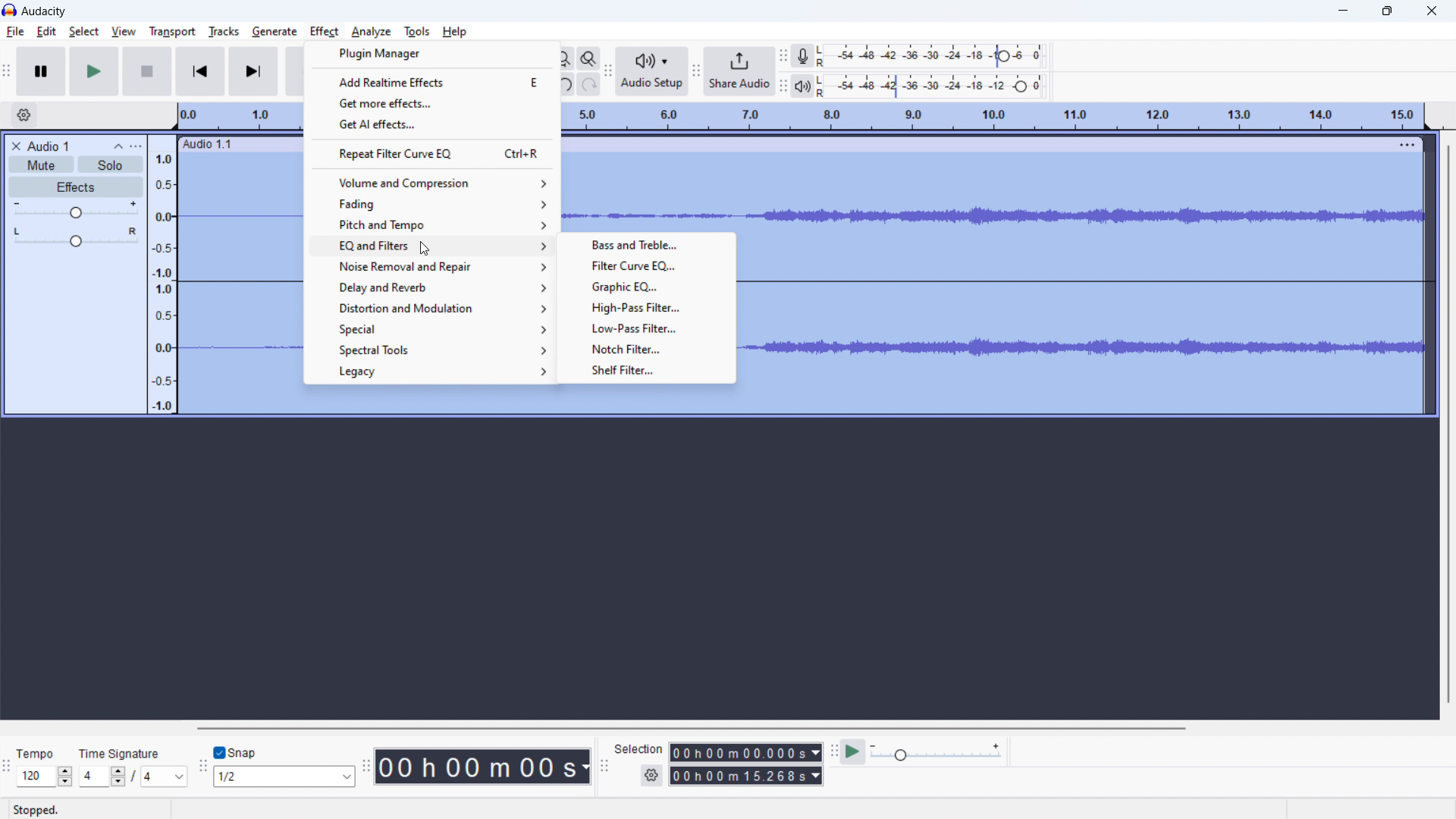 Image resolution: width=1456 pixels, height=819 pixels. Describe the element at coordinates (16, 32) in the screenshot. I see `file` at that location.